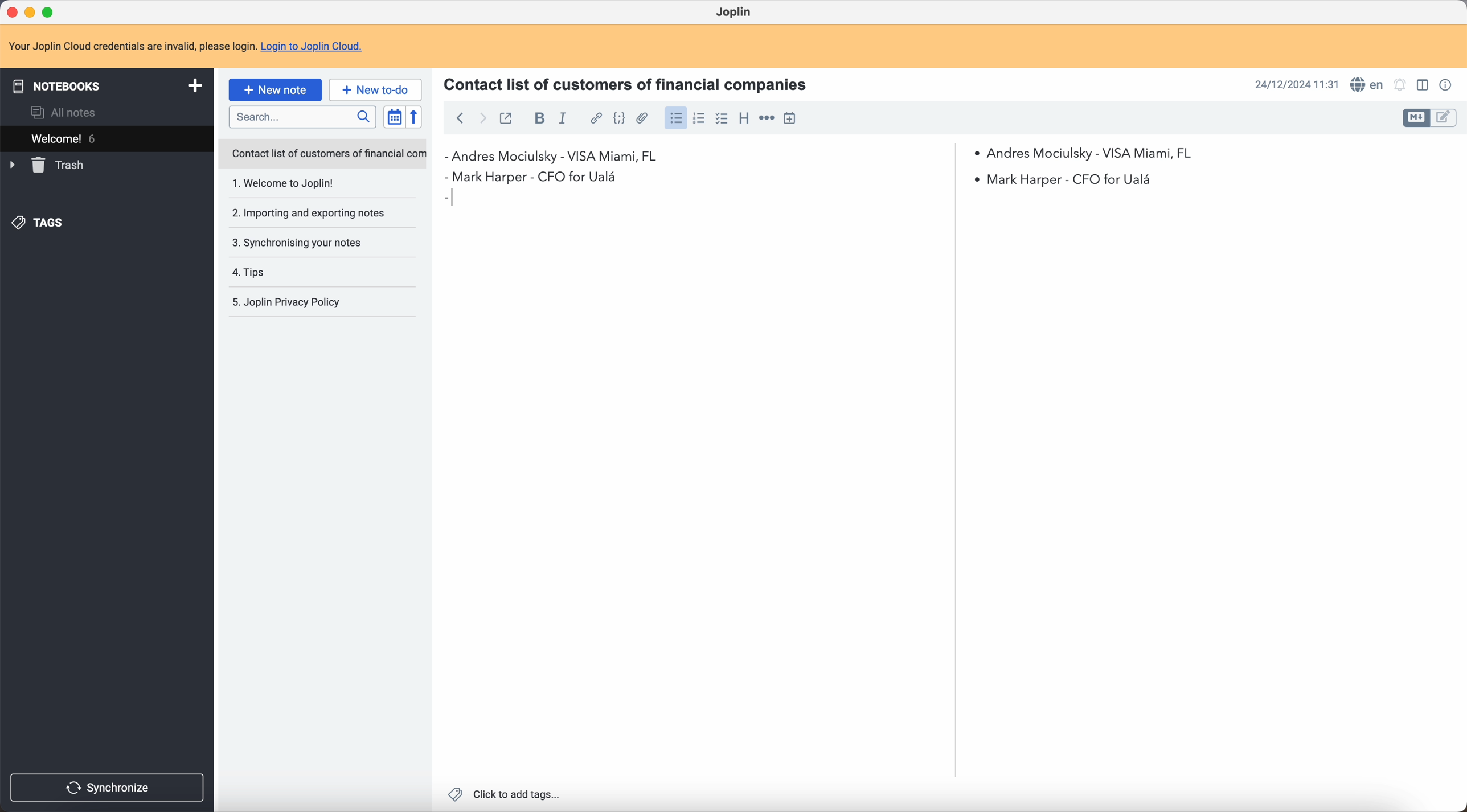 This screenshot has width=1467, height=812. I want to click on Contact list of customers of financial companies, so click(633, 83).